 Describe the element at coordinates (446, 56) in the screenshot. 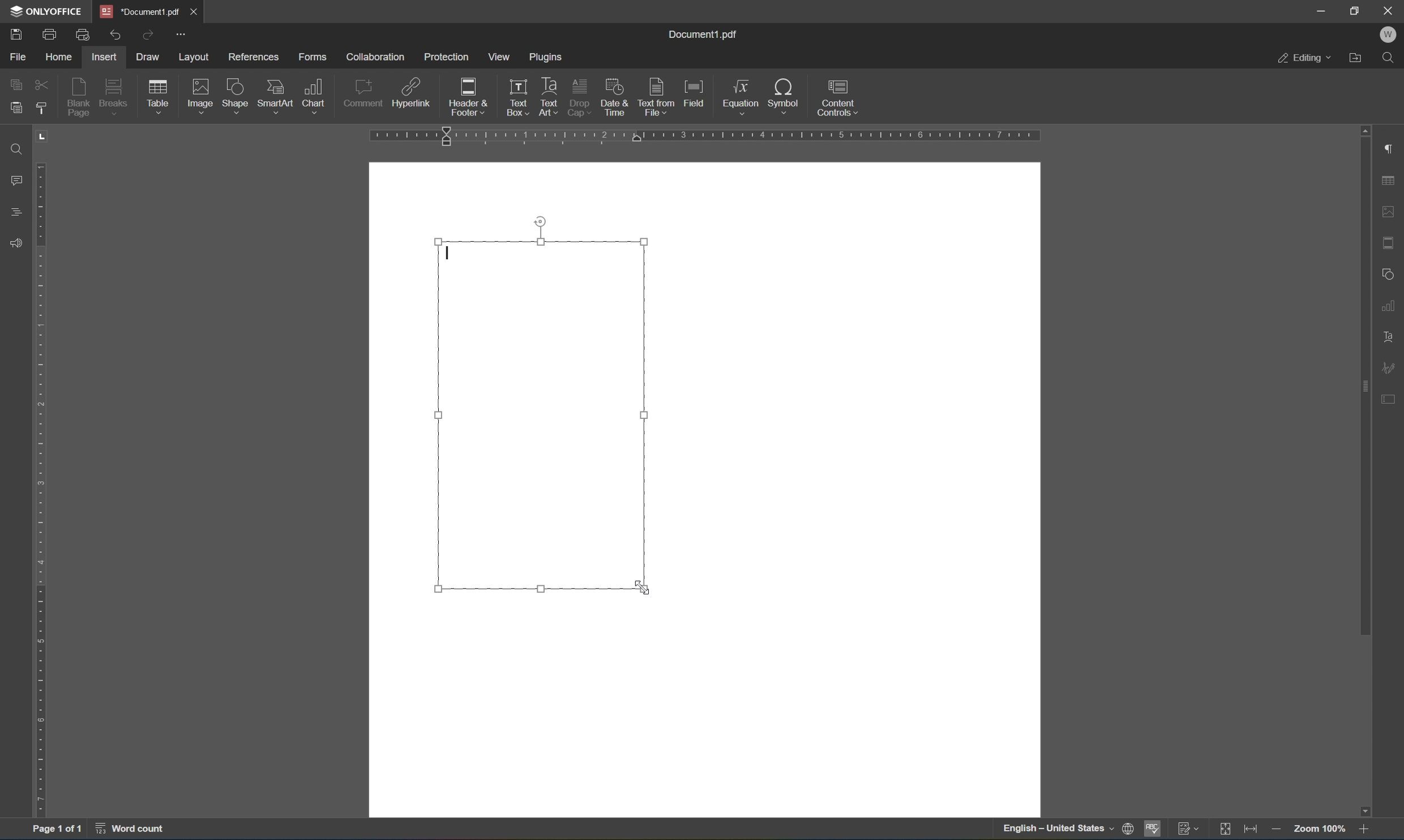

I see `protection` at that location.